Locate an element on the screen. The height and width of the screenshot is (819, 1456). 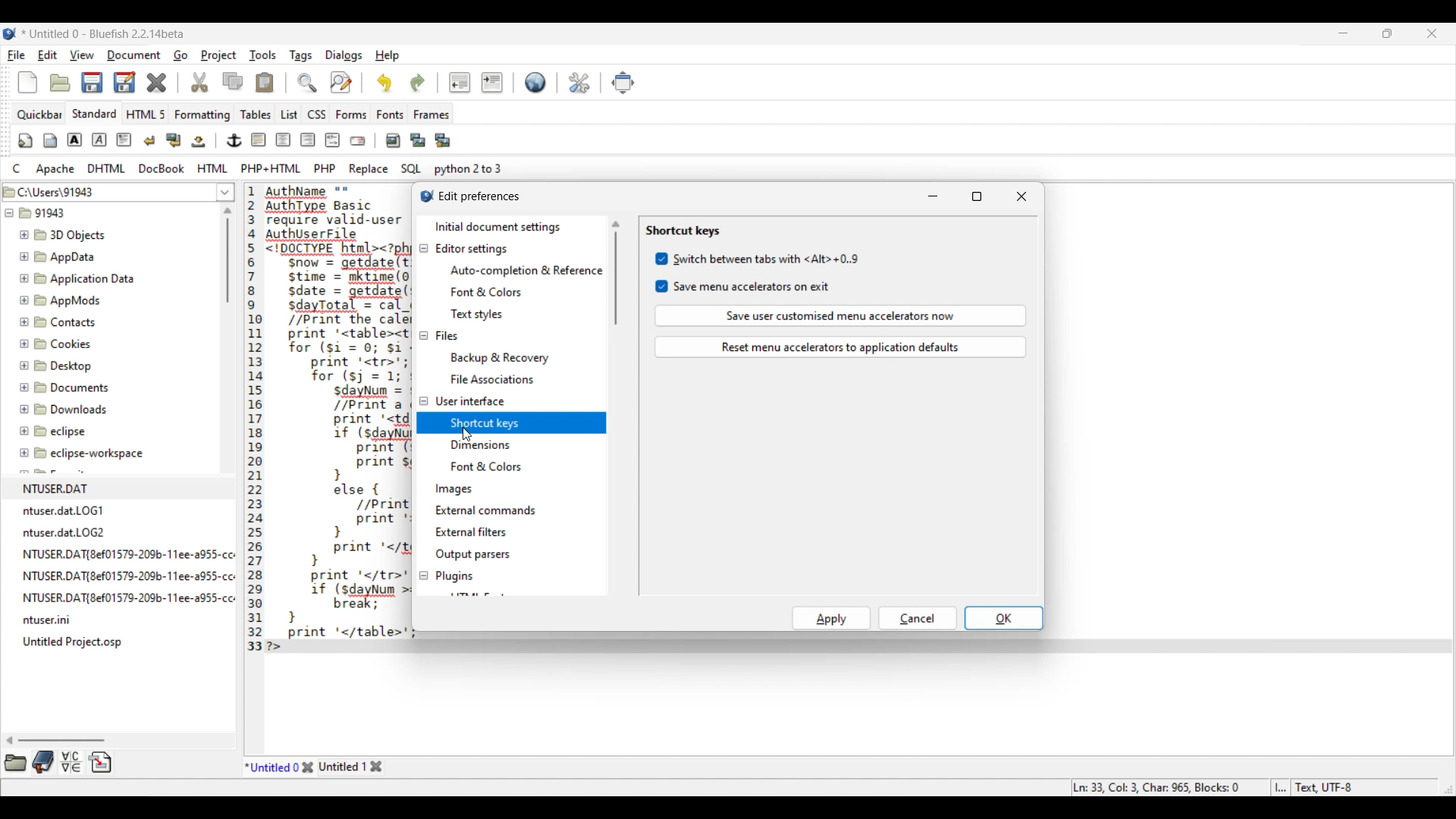
Save user customized menu accelerators now is located at coordinates (841, 315).